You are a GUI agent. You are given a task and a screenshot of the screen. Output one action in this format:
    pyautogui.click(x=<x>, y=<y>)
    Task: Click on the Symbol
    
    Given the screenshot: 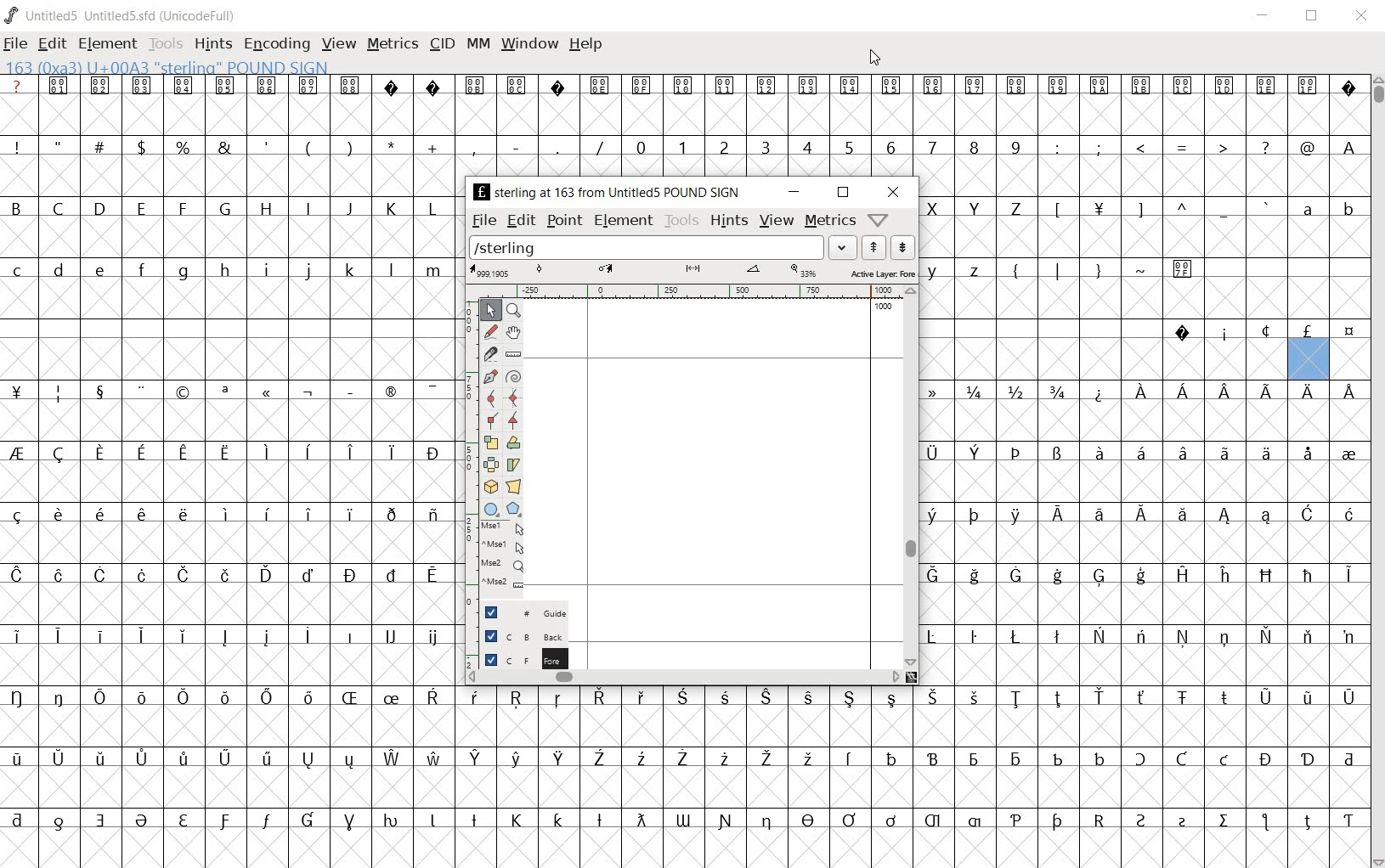 What is the action you would take?
    pyautogui.click(x=267, y=696)
    